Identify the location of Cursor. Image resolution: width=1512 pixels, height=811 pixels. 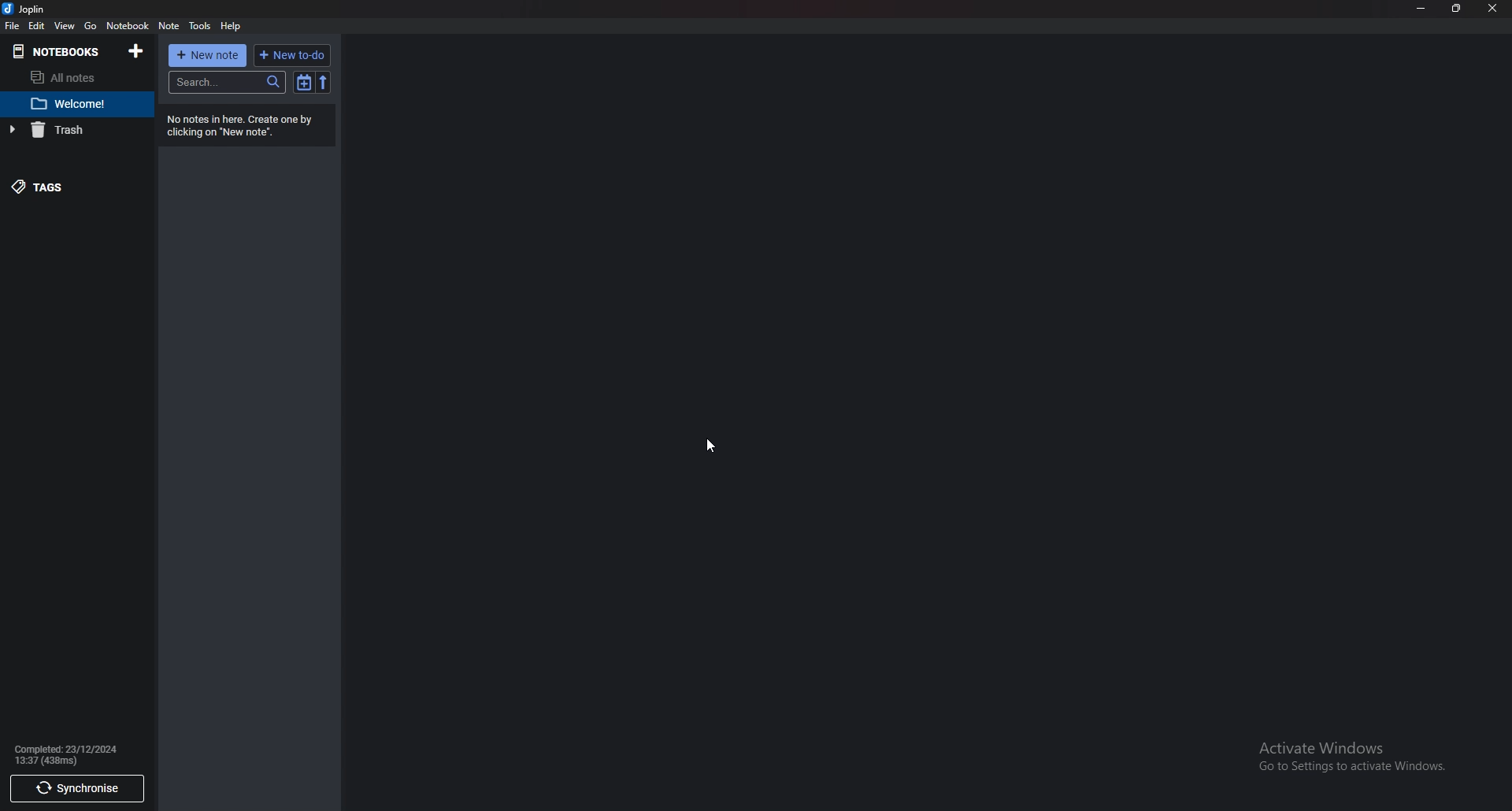
(711, 445).